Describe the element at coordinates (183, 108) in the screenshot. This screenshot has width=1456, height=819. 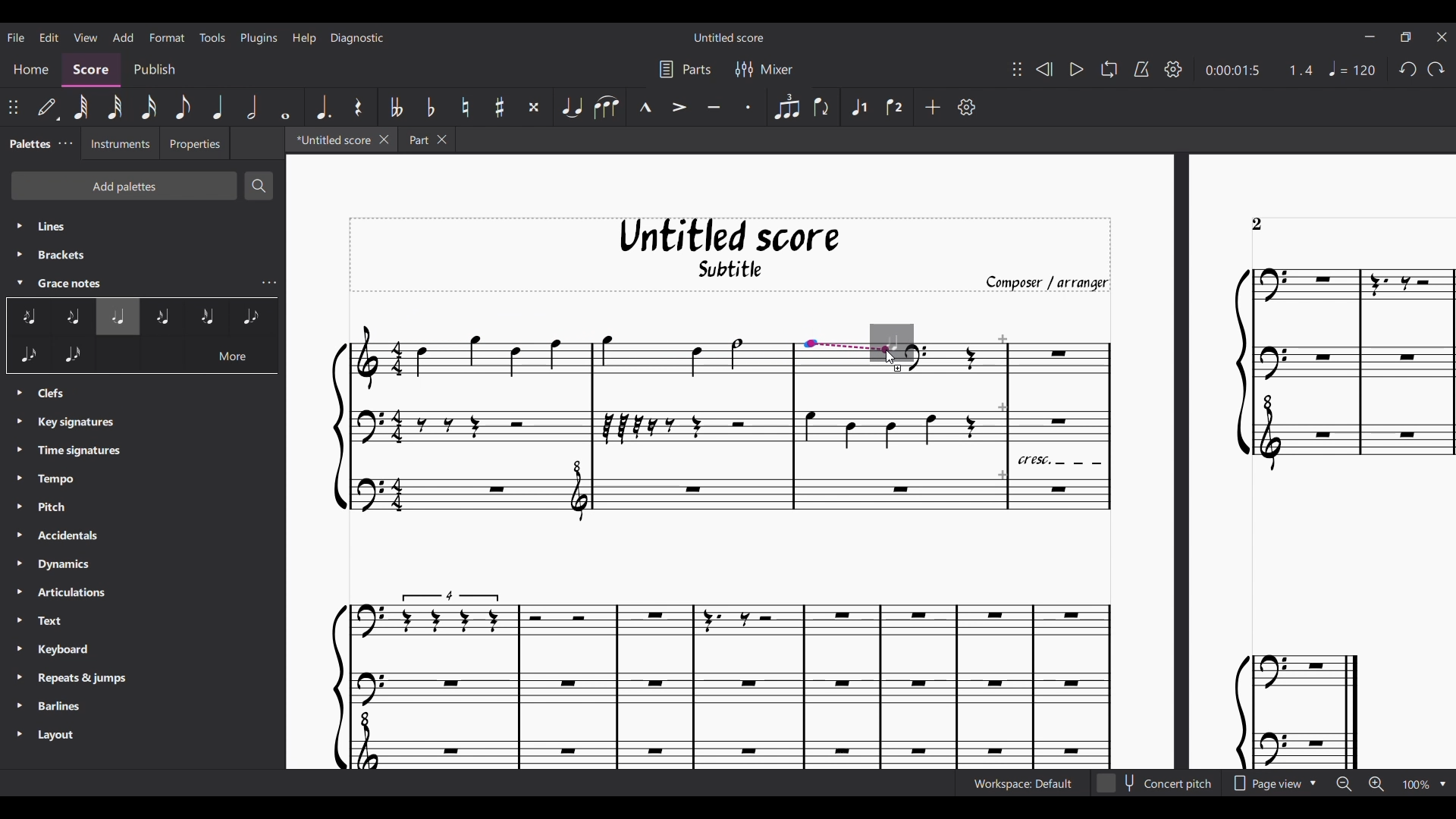
I see `8th note` at that location.